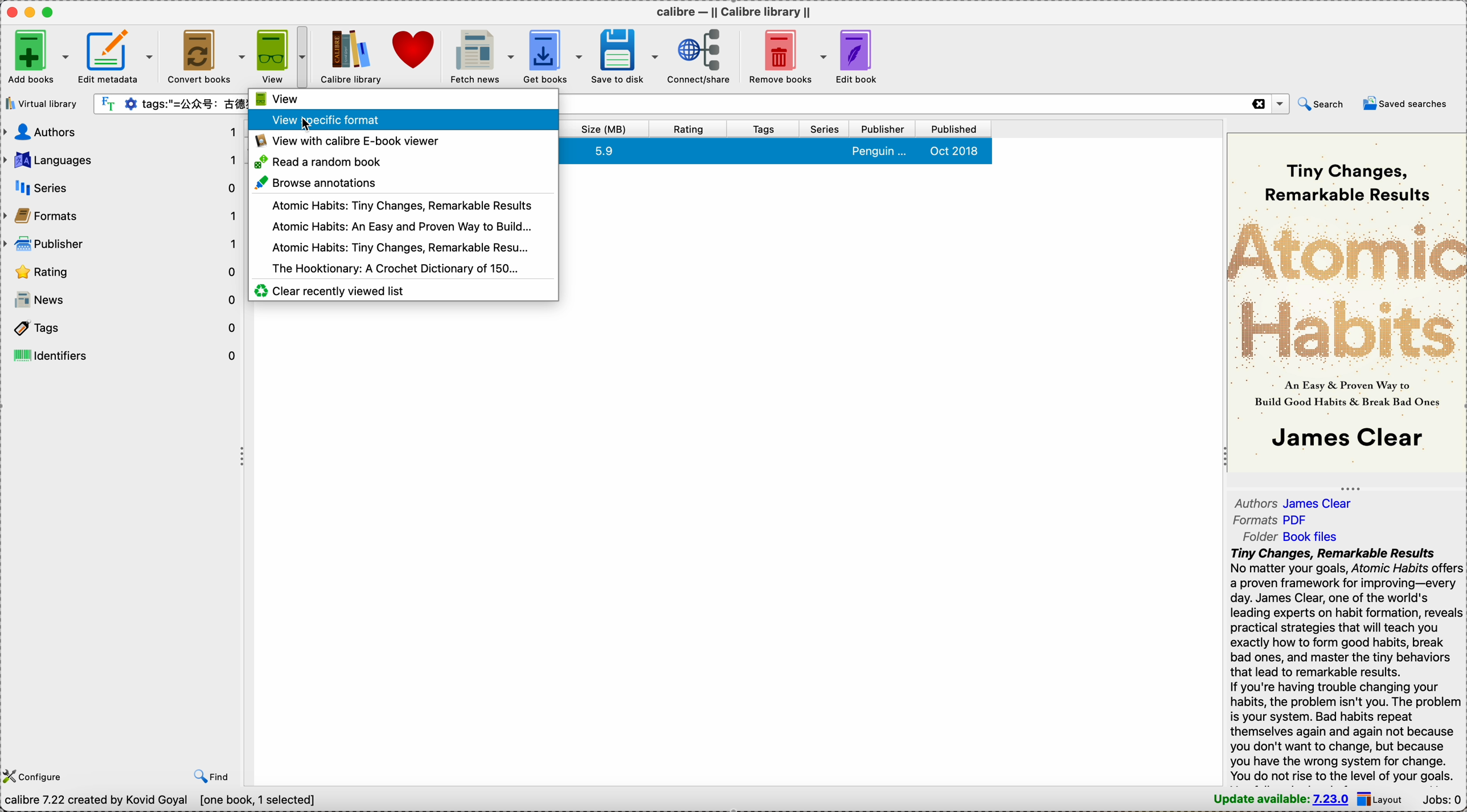 The width and height of the screenshot is (1467, 812). I want to click on fetch news, so click(481, 55).